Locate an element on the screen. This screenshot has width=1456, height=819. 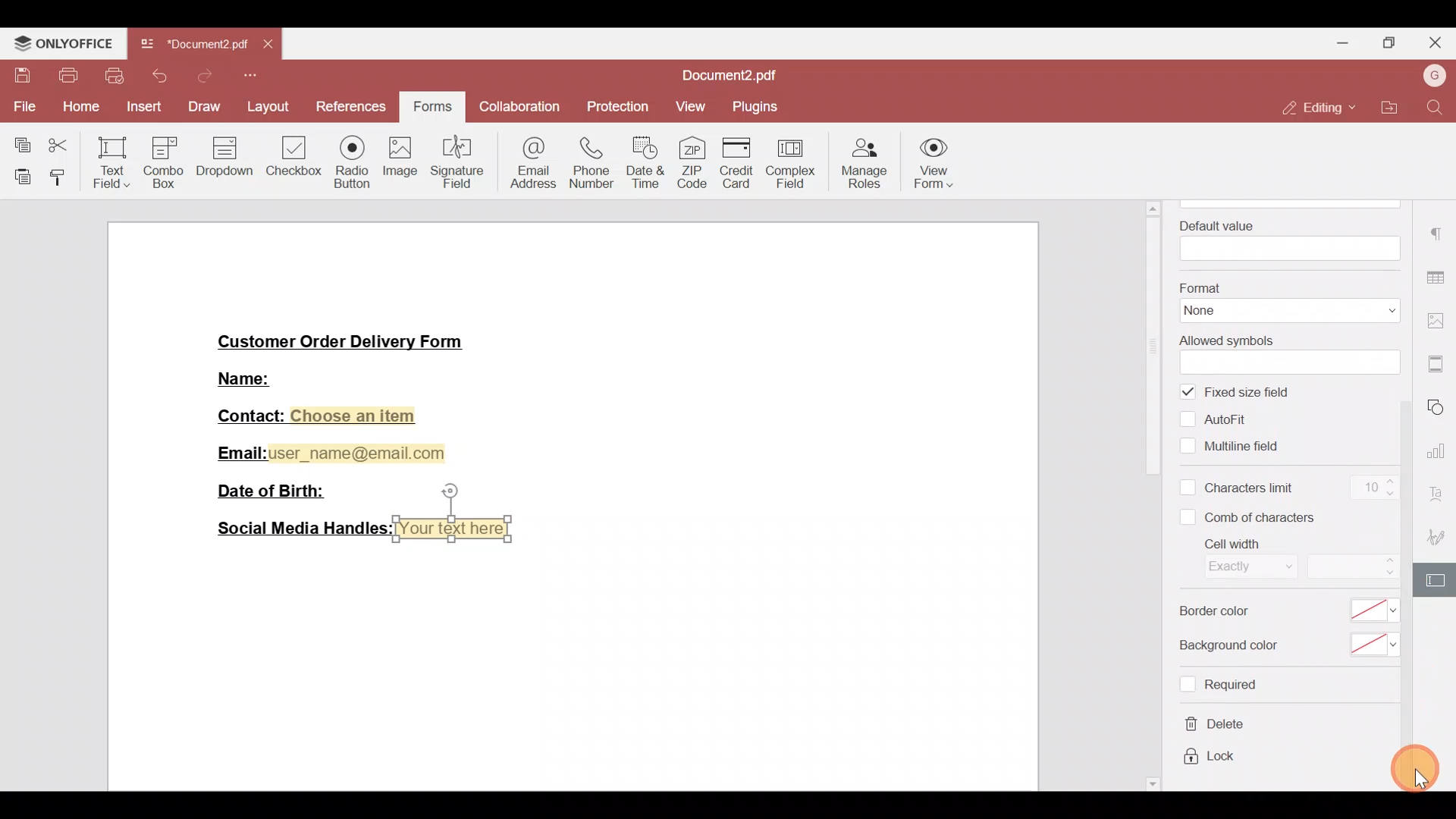
Copy is located at coordinates (17, 142).